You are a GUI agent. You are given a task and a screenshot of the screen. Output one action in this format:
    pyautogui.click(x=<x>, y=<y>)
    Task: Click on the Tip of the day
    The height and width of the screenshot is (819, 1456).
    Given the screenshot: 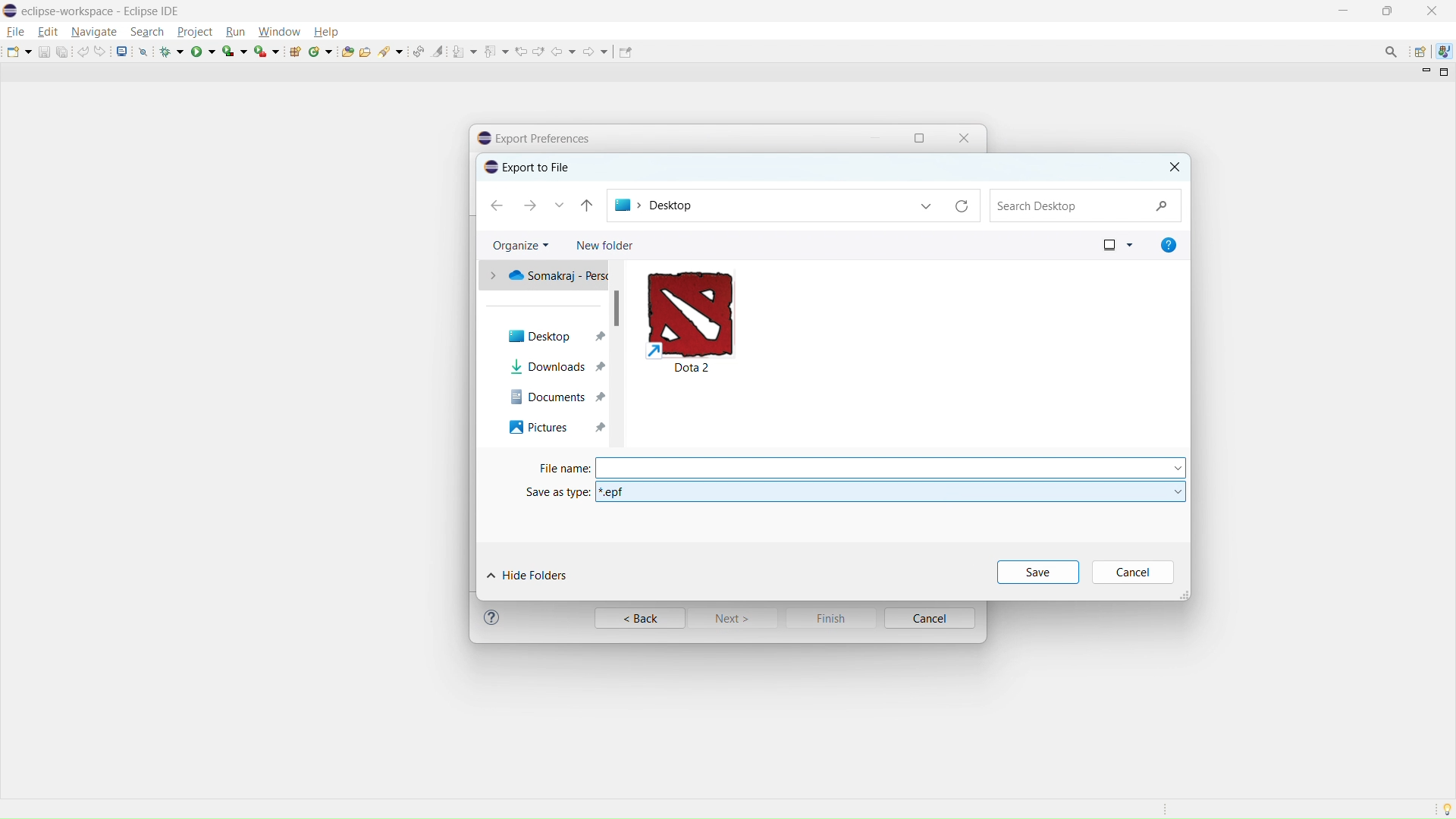 What is the action you would take?
    pyautogui.click(x=1444, y=808)
    